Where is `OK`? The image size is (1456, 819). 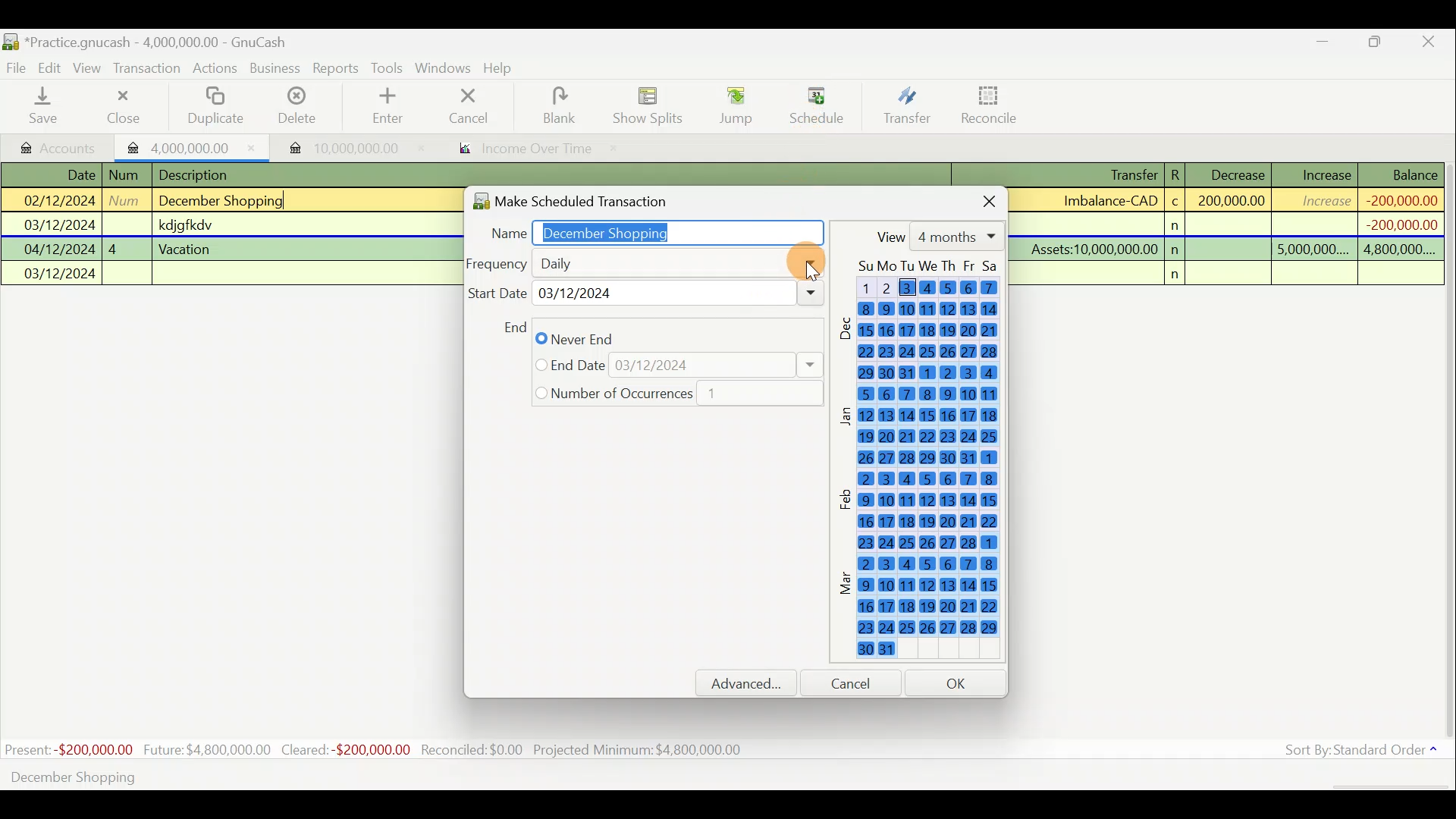 OK is located at coordinates (959, 682).